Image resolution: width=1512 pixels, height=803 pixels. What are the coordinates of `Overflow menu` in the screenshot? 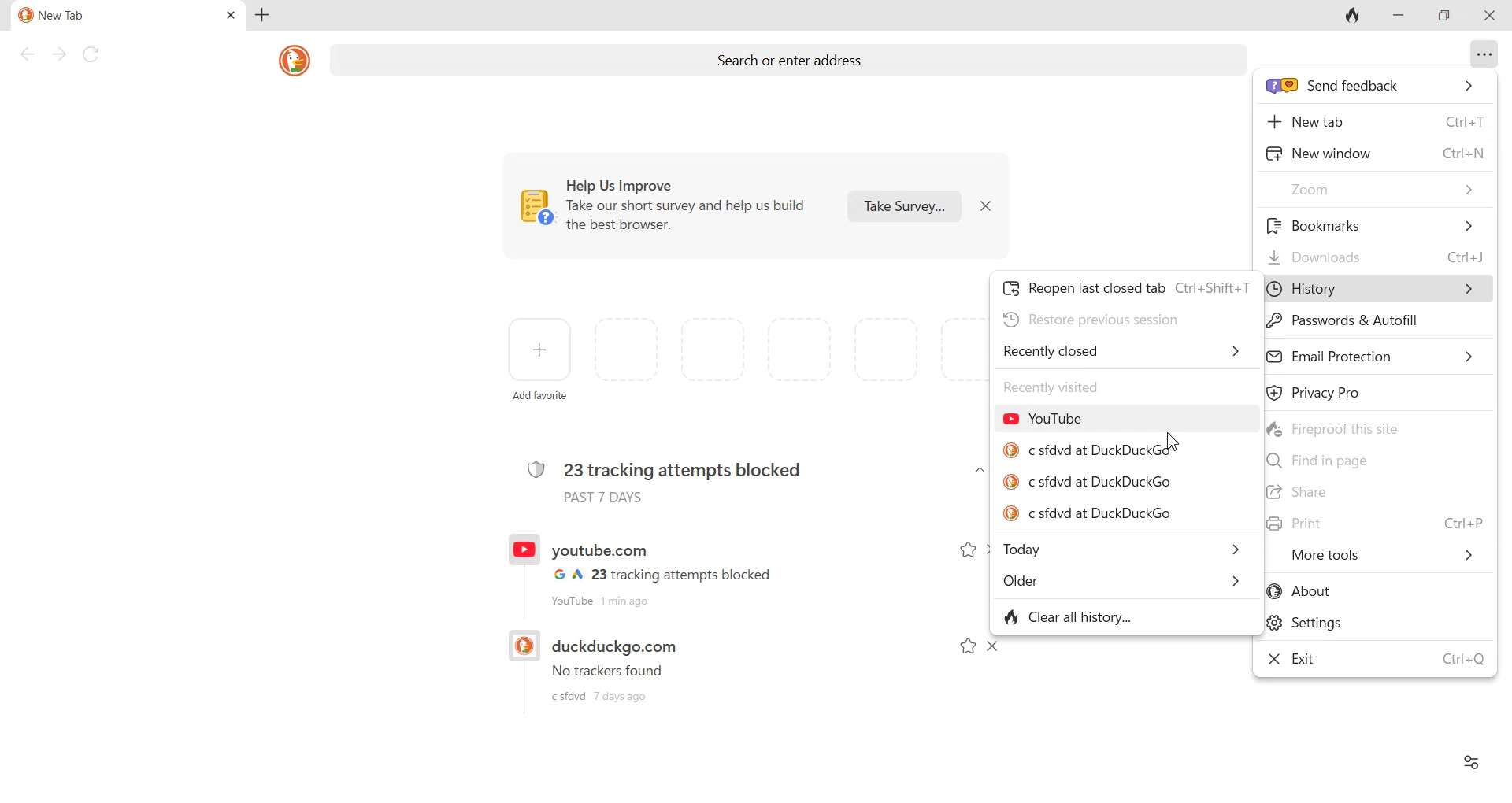 It's located at (1485, 54).